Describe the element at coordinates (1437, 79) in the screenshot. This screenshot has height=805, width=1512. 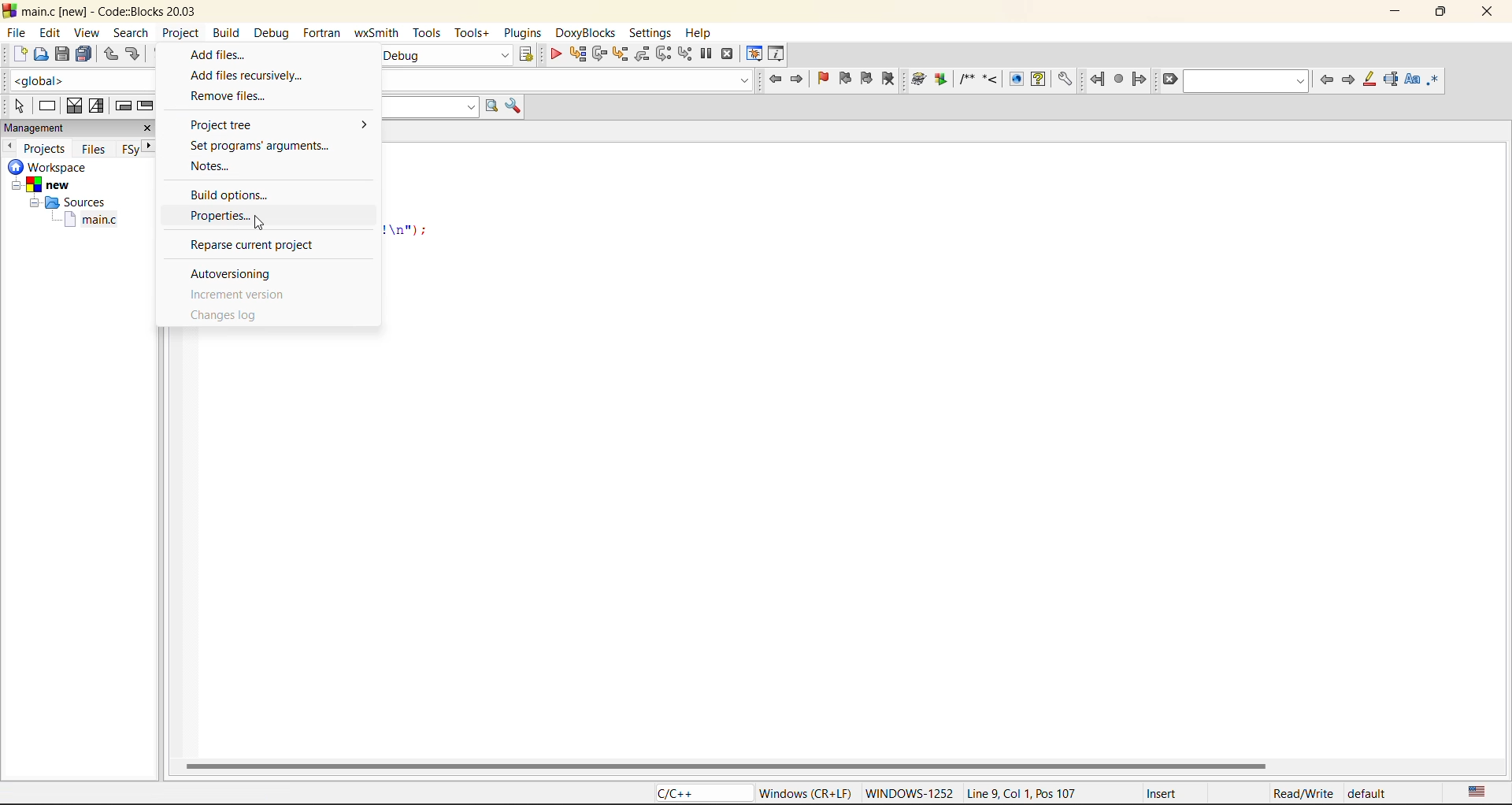
I see `use regex` at that location.